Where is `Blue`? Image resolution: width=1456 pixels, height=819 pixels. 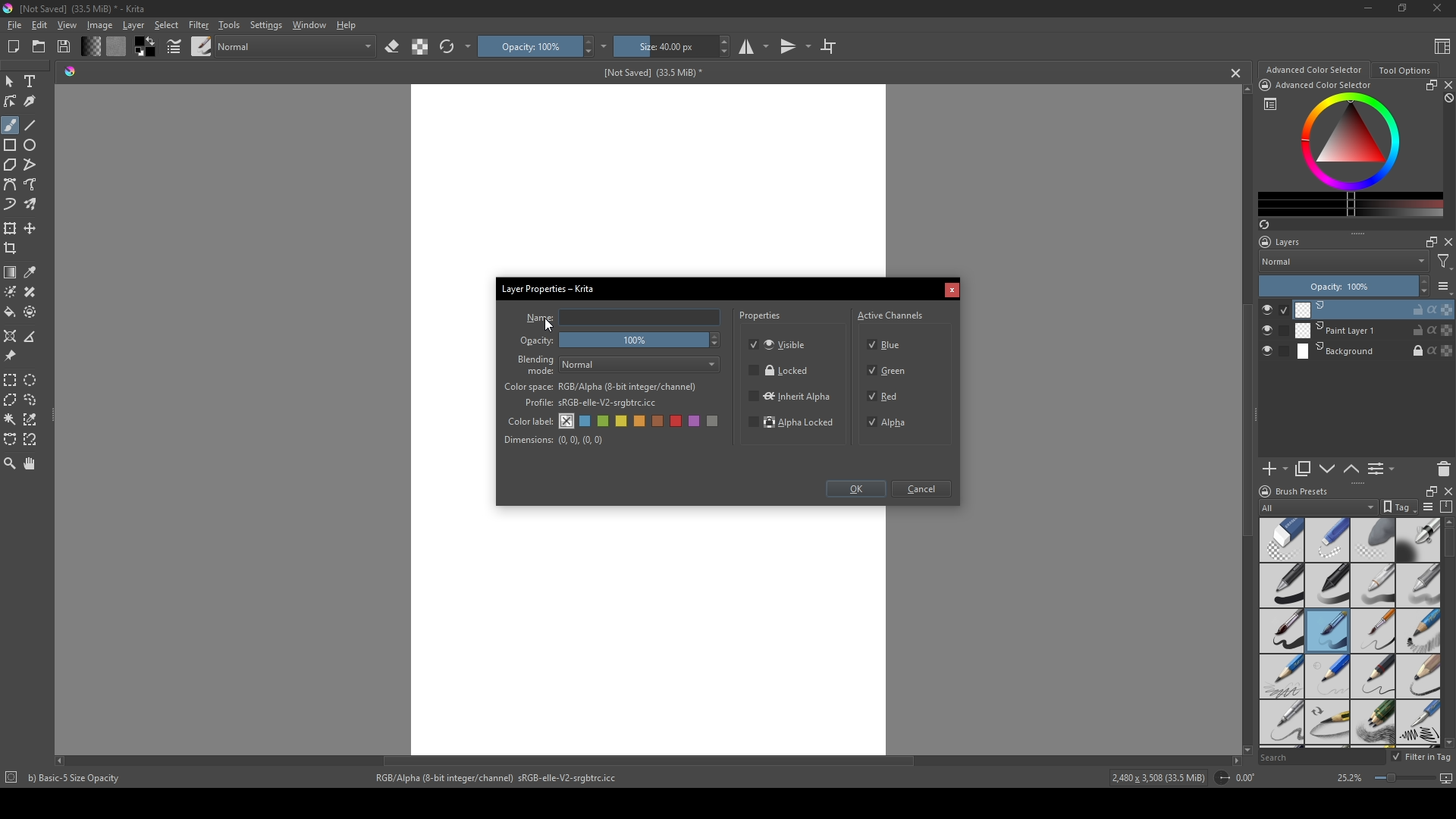 Blue is located at coordinates (888, 343).